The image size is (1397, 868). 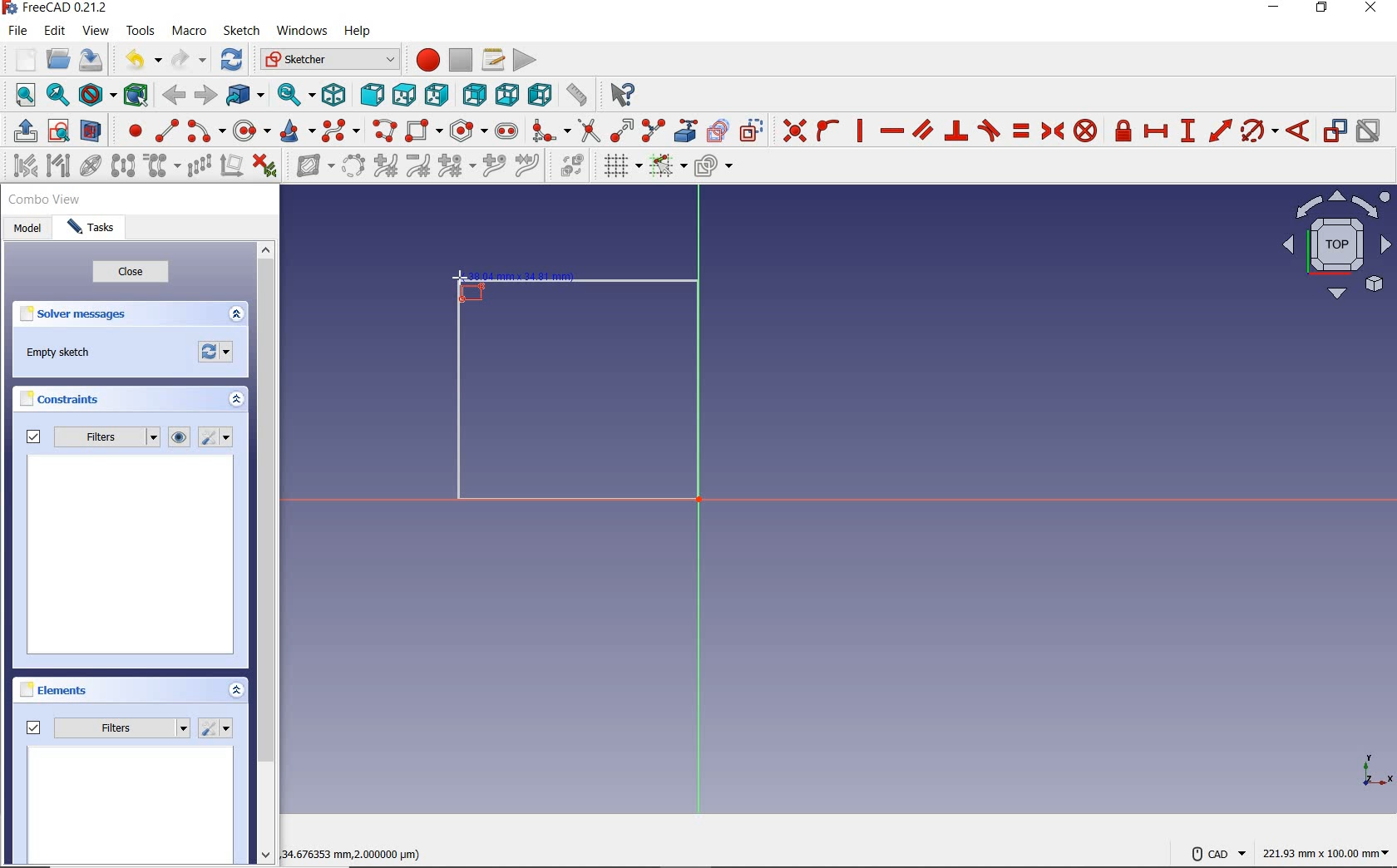 I want to click on preview, so click(x=132, y=557).